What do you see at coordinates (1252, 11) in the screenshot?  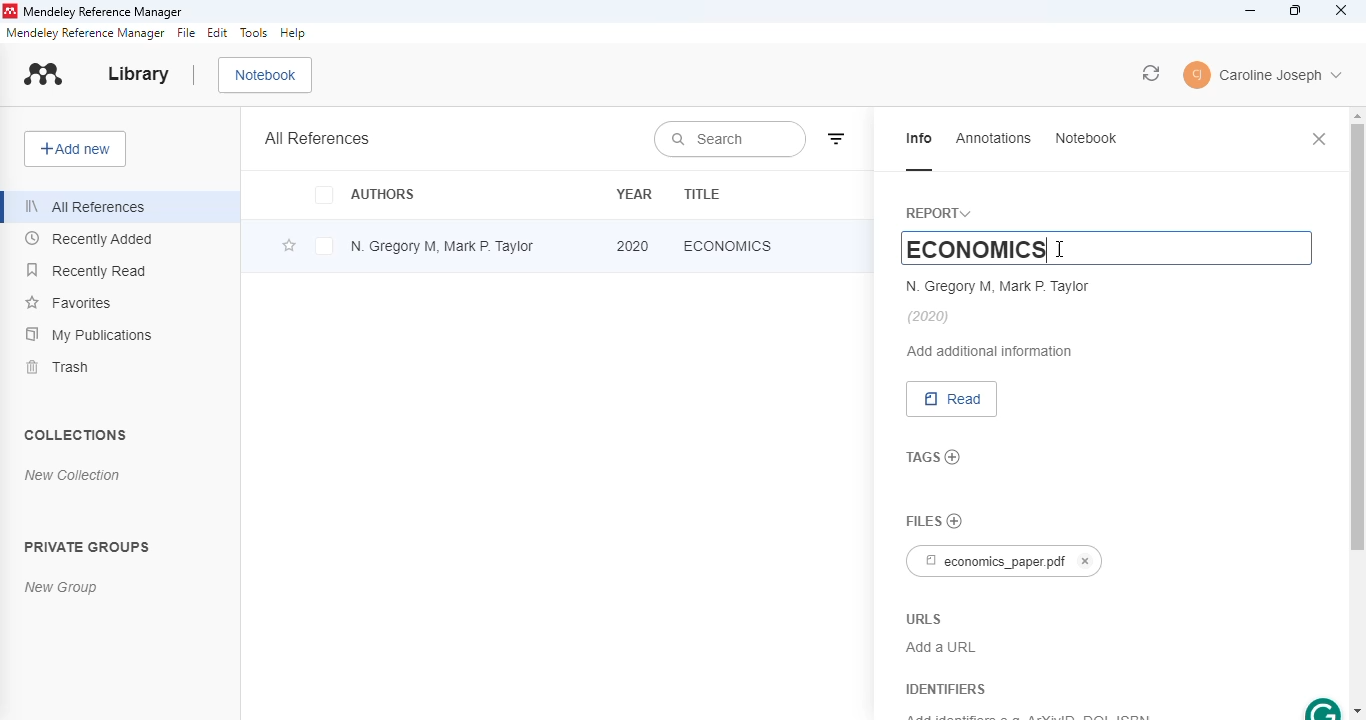 I see `minimize` at bounding box center [1252, 11].